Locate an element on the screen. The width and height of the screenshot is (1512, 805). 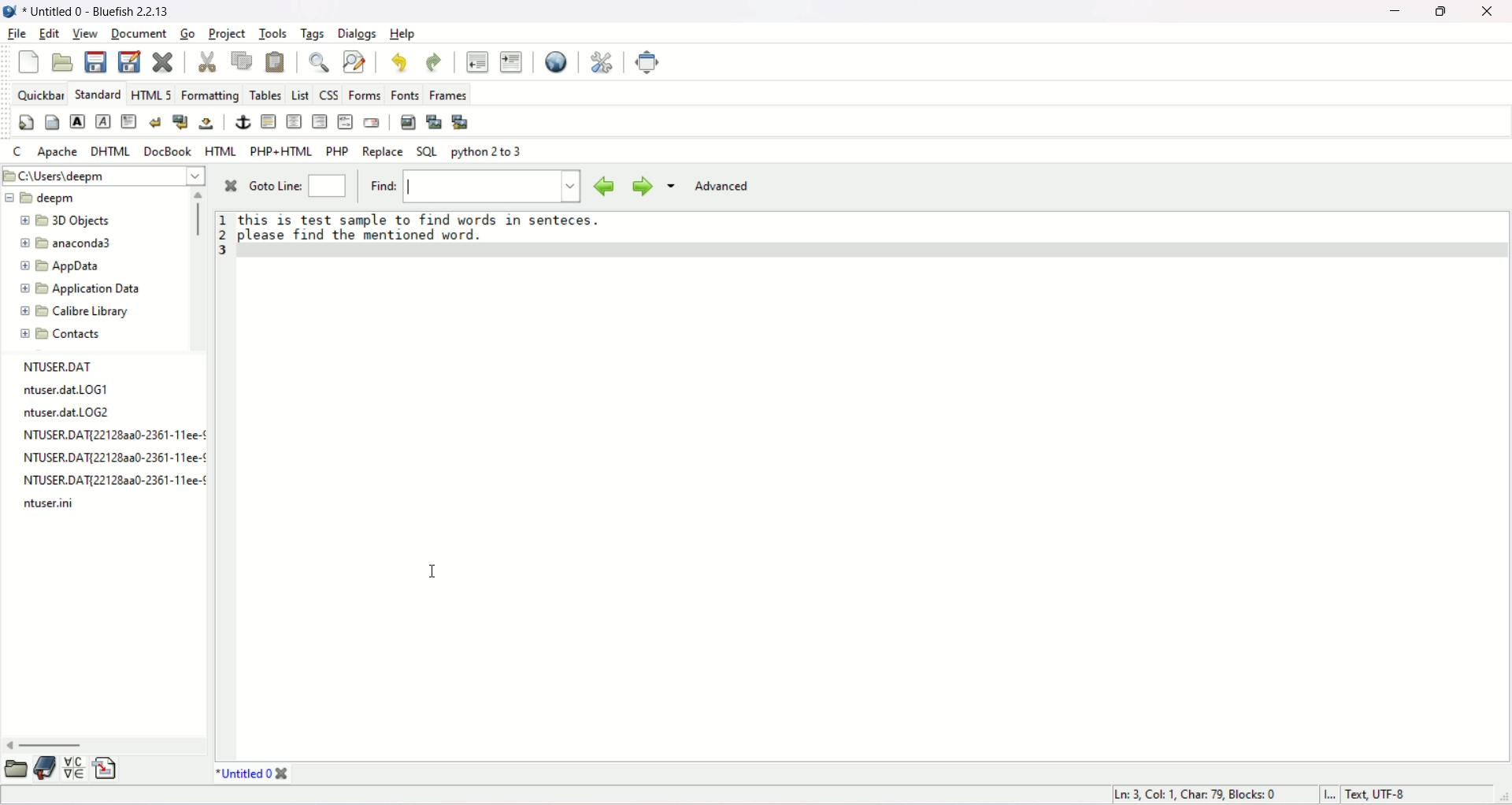
tags is located at coordinates (313, 33).